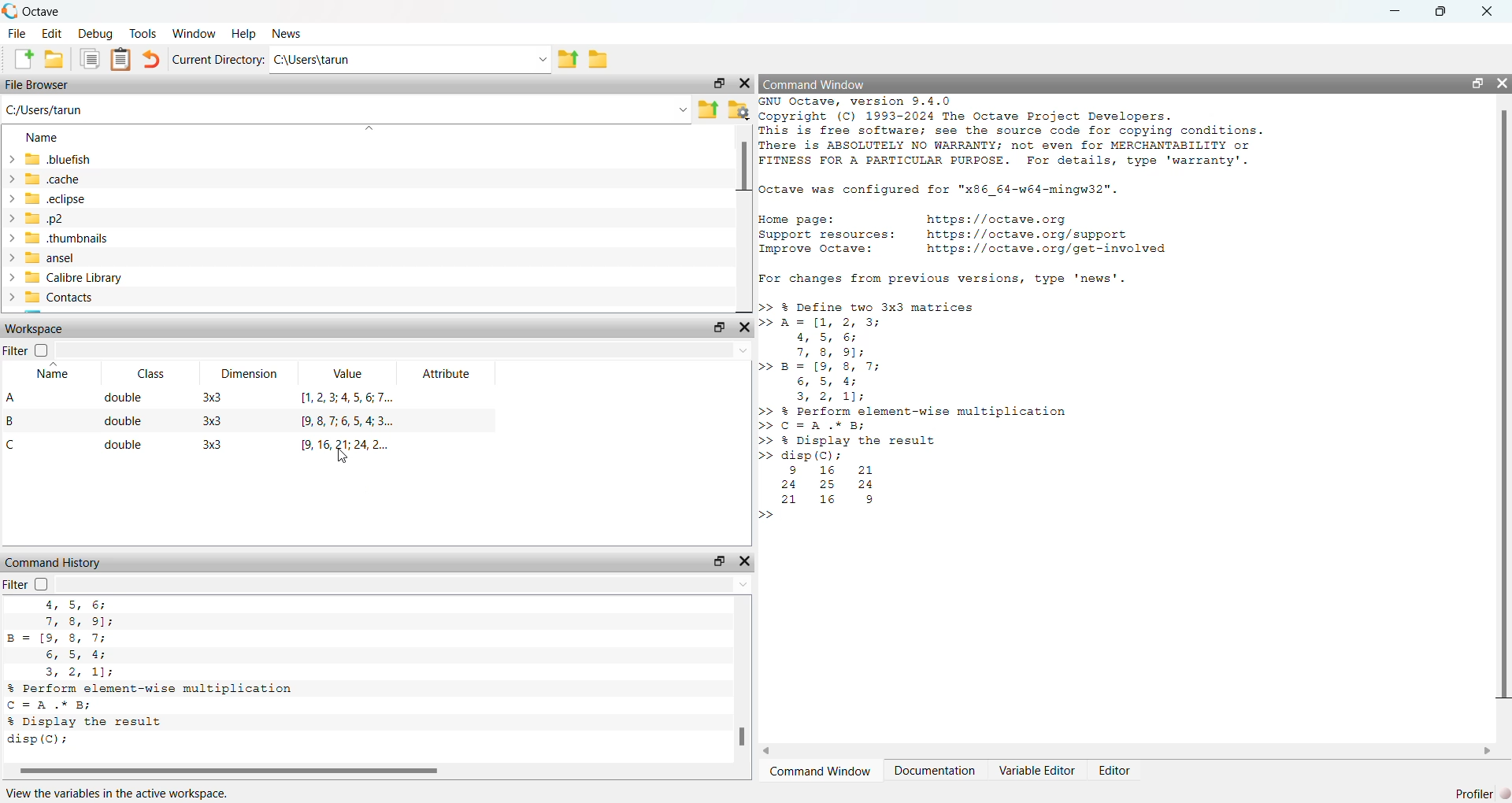 This screenshot has height=803, width=1512. I want to click on File, so click(17, 34).